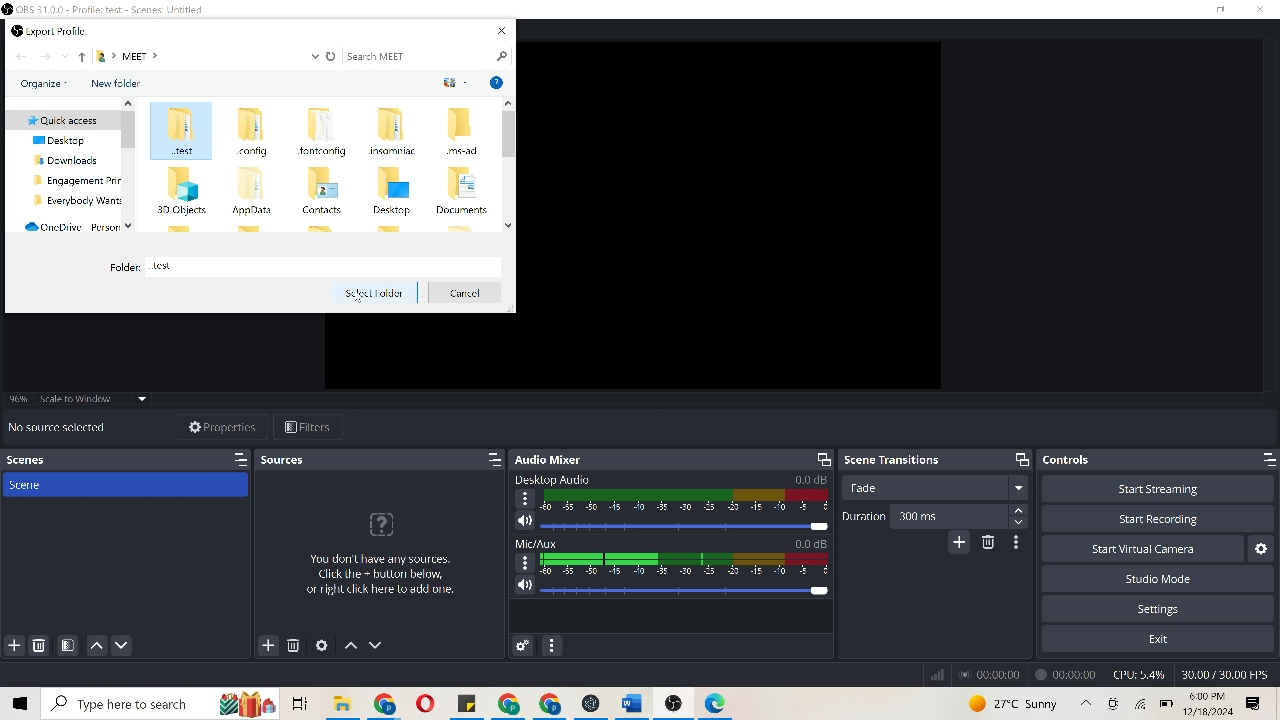 This screenshot has height=720, width=1280. Describe the element at coordinates (288, 463) in the screenshot. I see `sources` at that location.